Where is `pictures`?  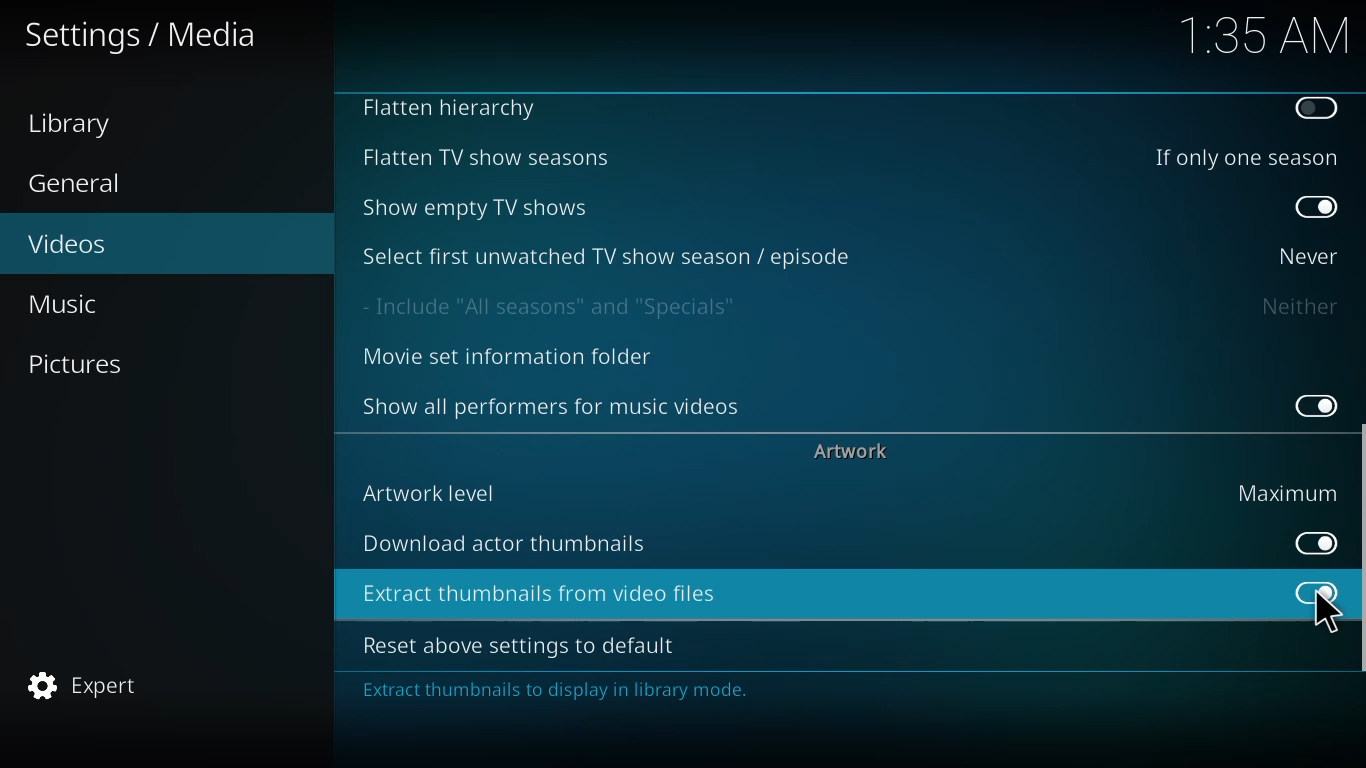 pictures is located at coordinates (79, 363).